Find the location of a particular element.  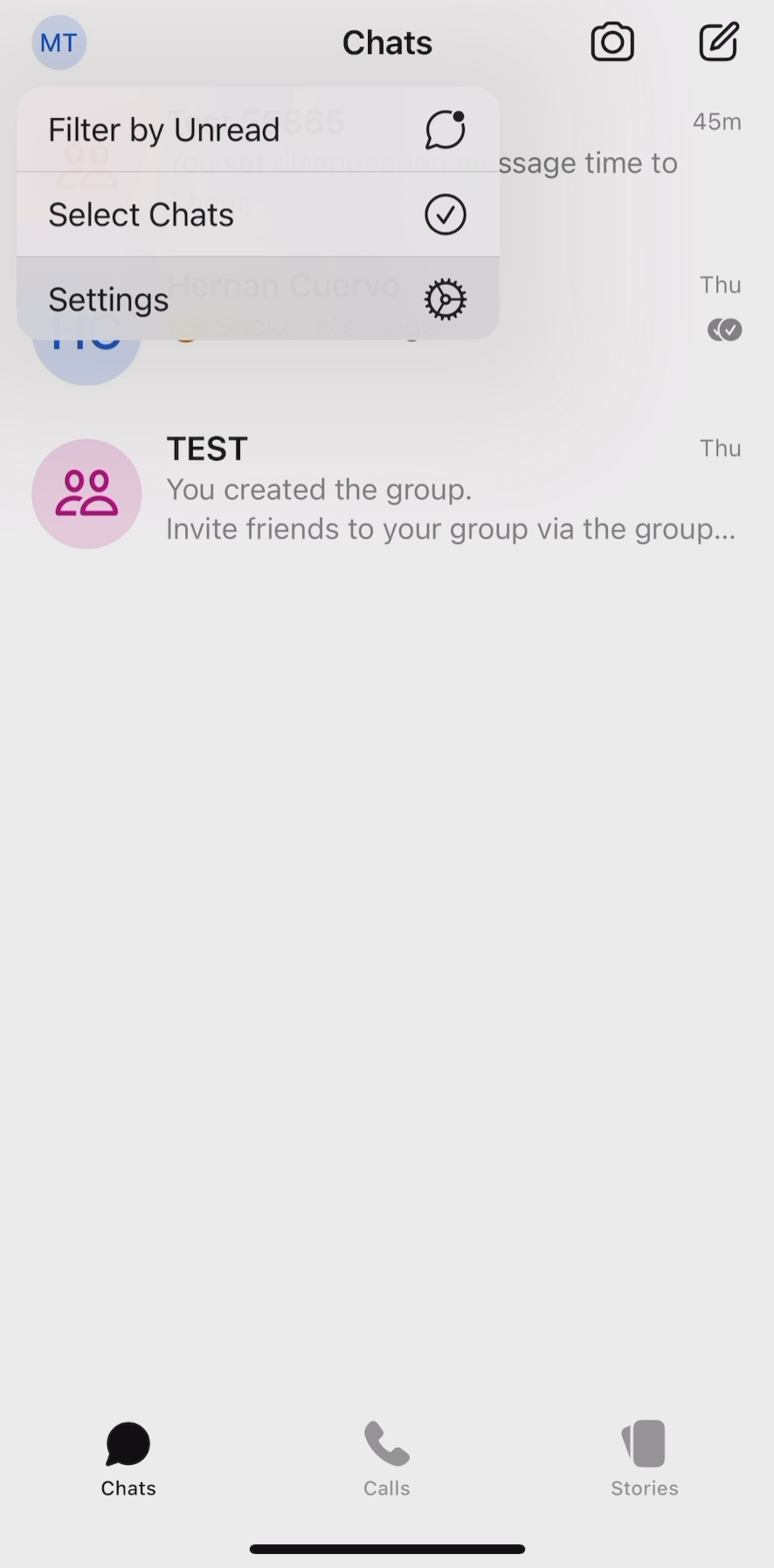

TEST group is located at coordinates (392, 494).